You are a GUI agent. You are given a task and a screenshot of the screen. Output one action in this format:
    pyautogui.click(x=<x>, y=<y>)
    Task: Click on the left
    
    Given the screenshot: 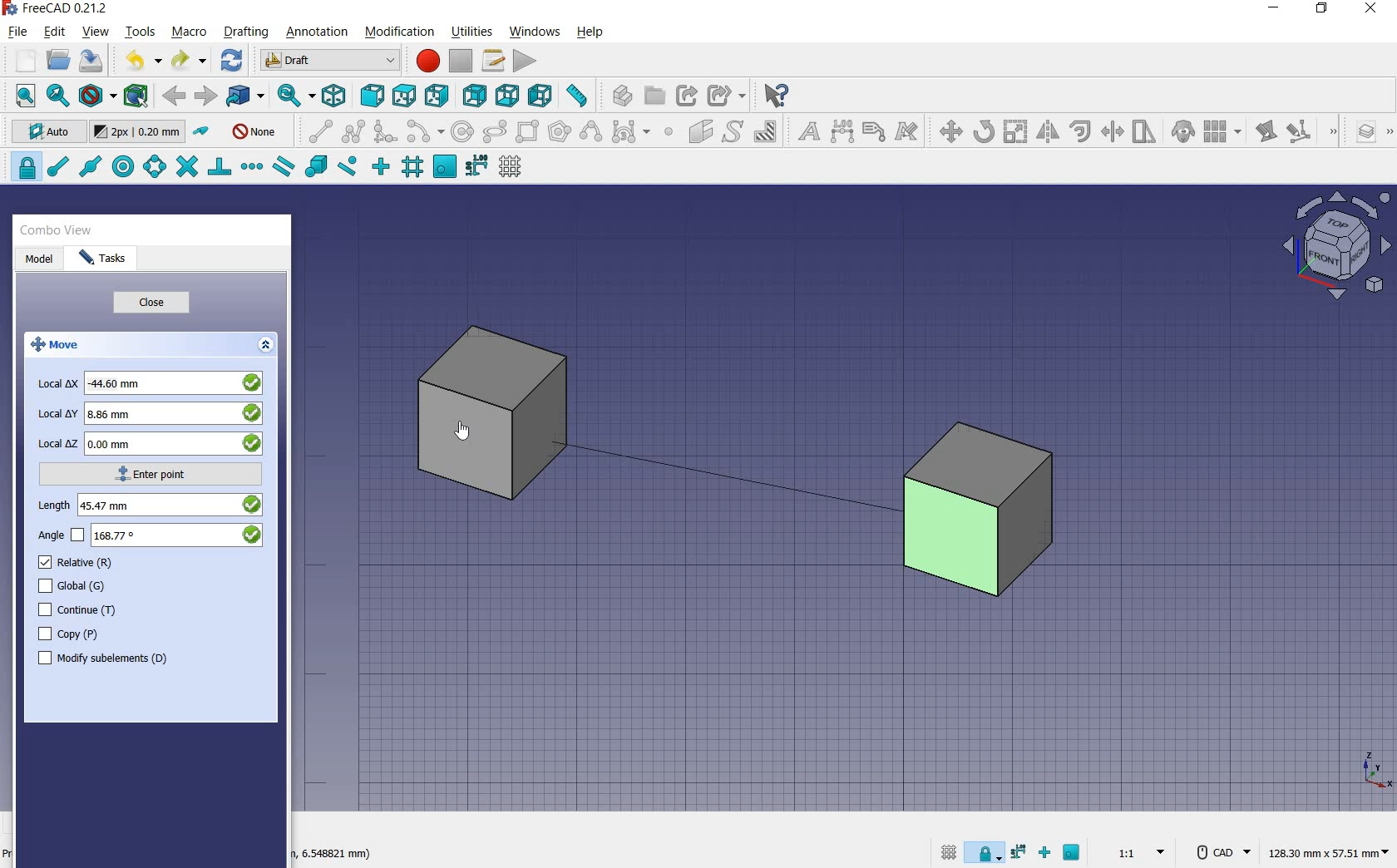 What is the action you would take?
    pyautogui.click(x=542, y=96)
    